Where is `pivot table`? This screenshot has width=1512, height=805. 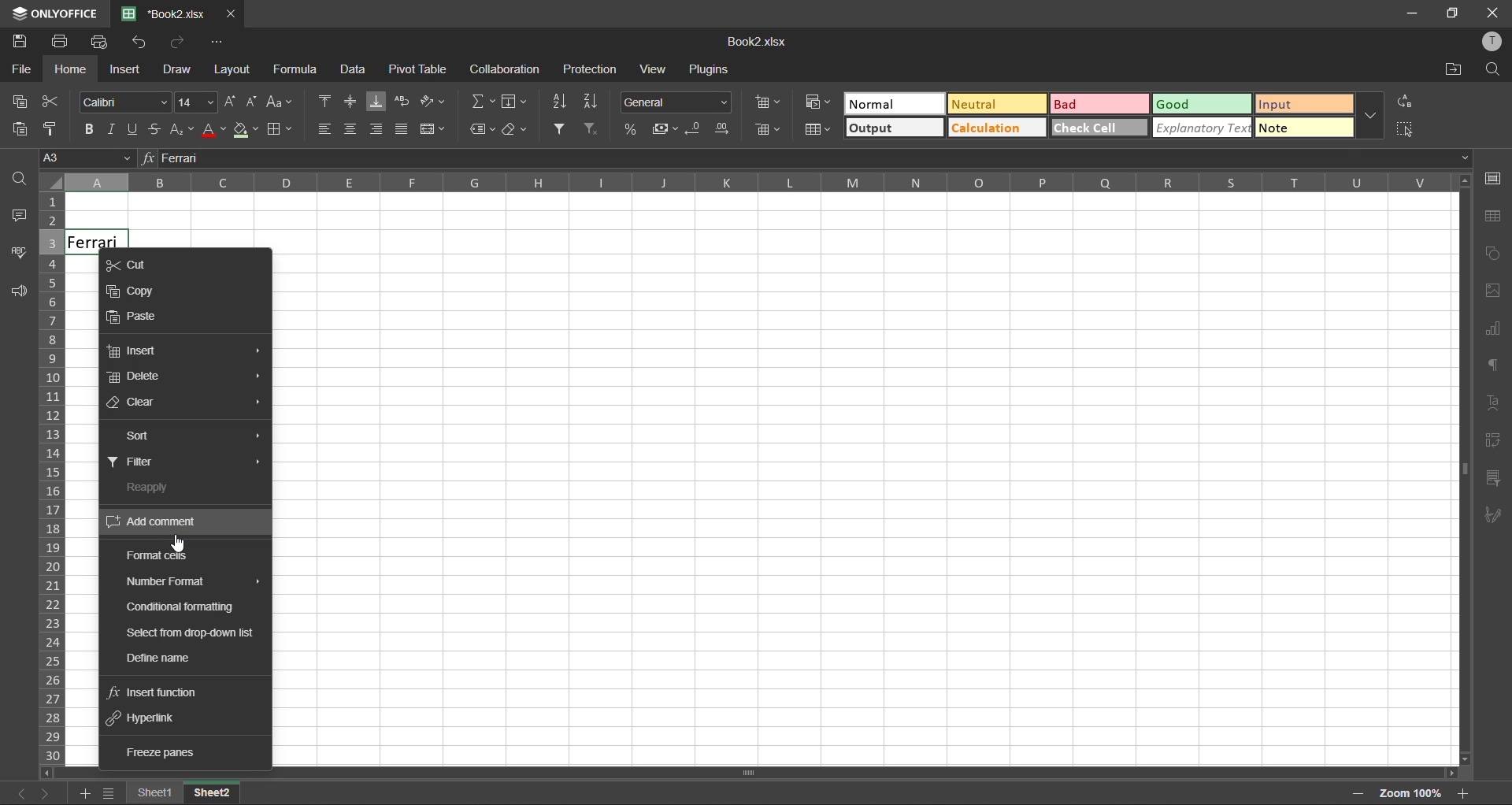 pivot table is located at coordinates (1494, 443).